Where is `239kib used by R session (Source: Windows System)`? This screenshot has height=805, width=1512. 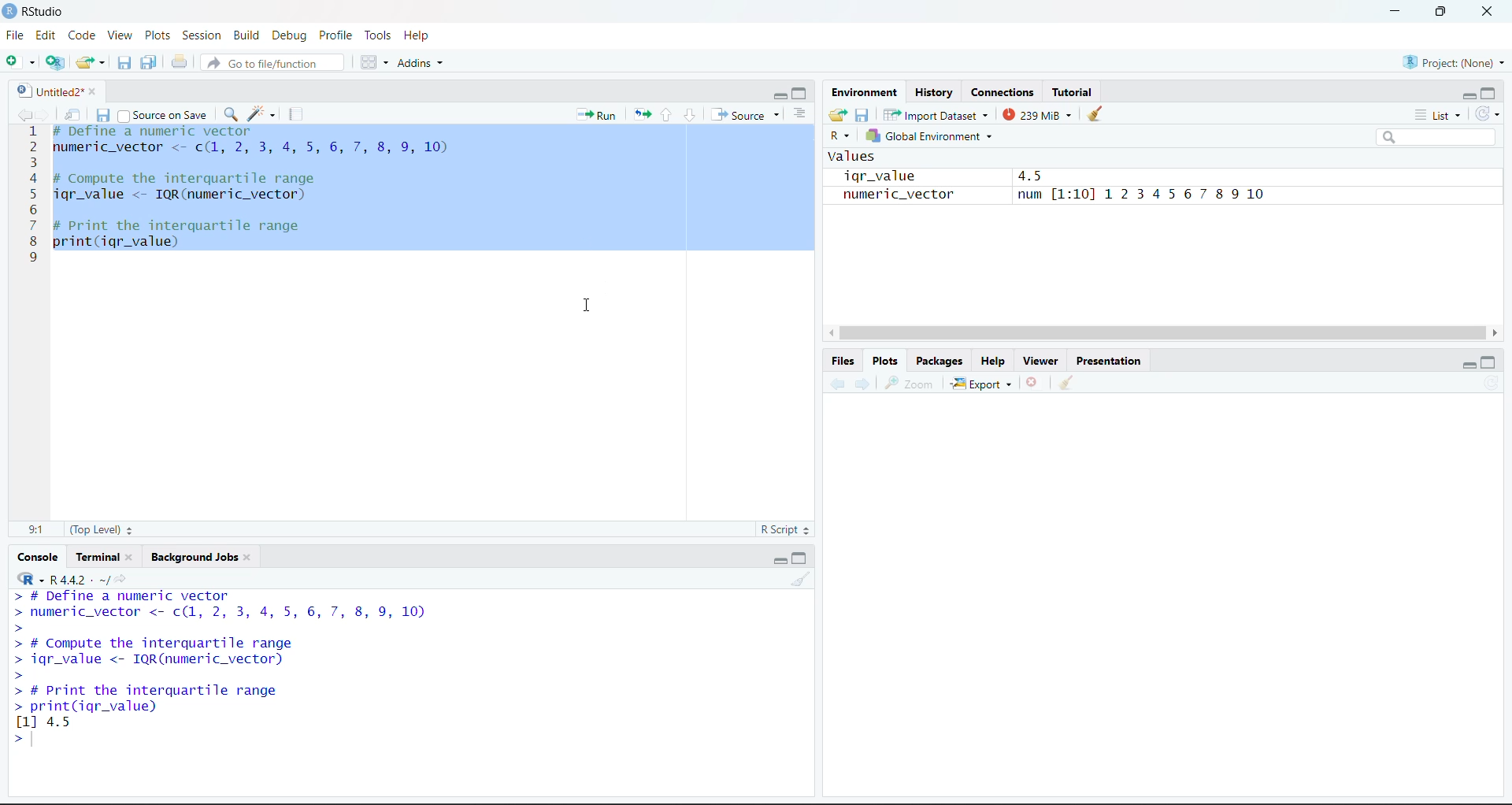
239kib used by R session (Source: Windows System) is located at coordinates (1039, 114).